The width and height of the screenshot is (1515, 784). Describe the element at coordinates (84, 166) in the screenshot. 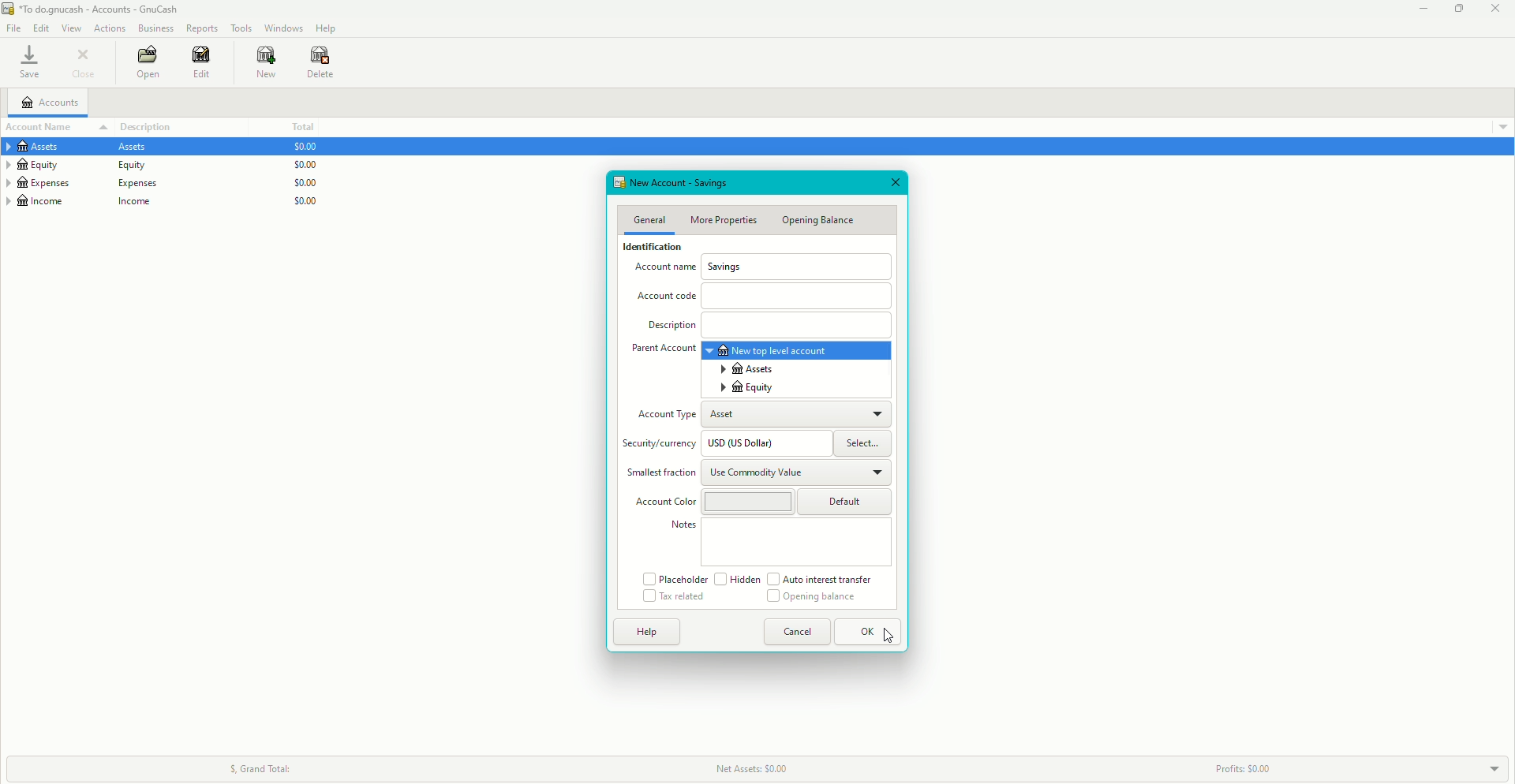

I see `Equity` at that location.